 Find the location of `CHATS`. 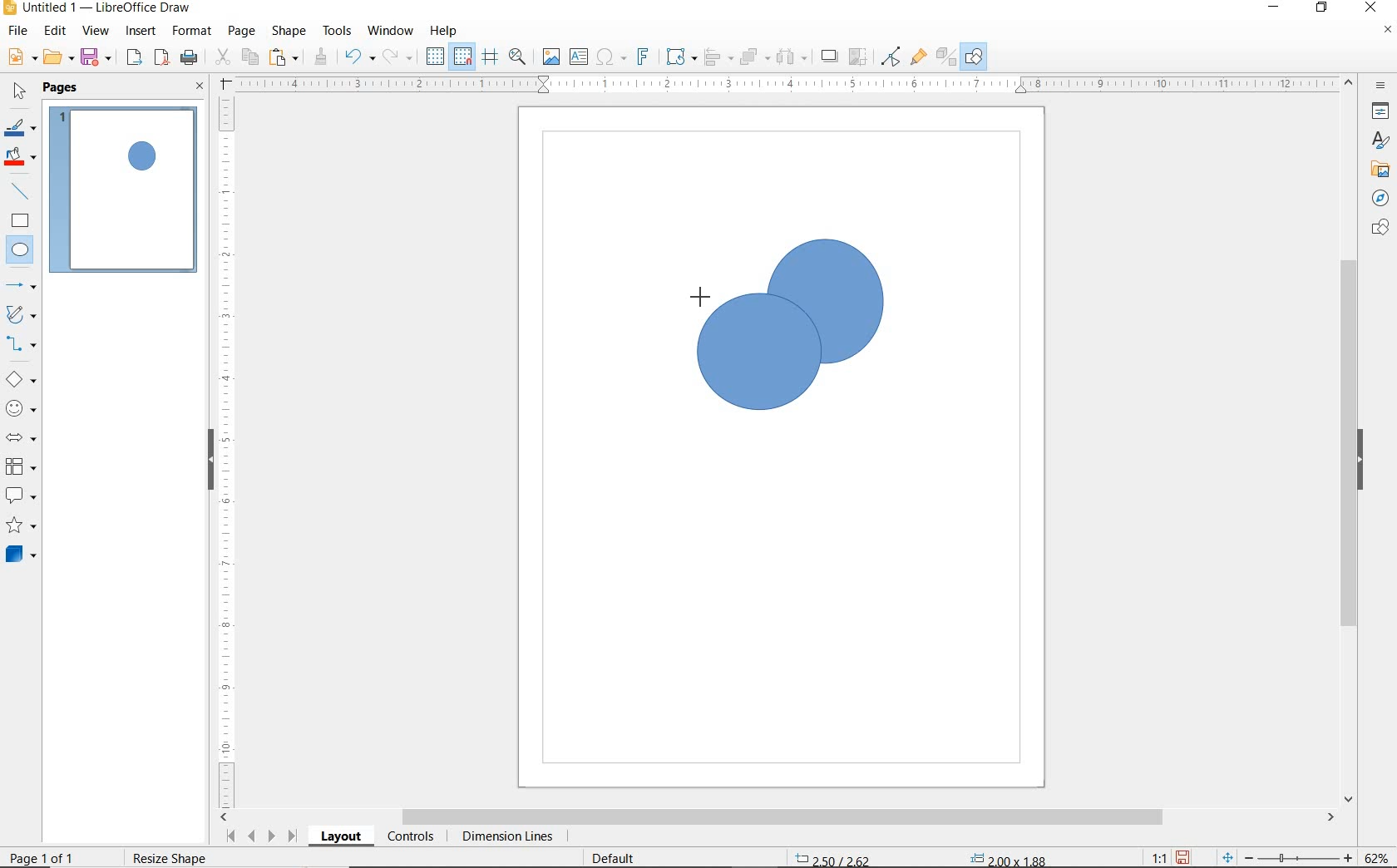

CHATS is located at coordinates (1377, 235).